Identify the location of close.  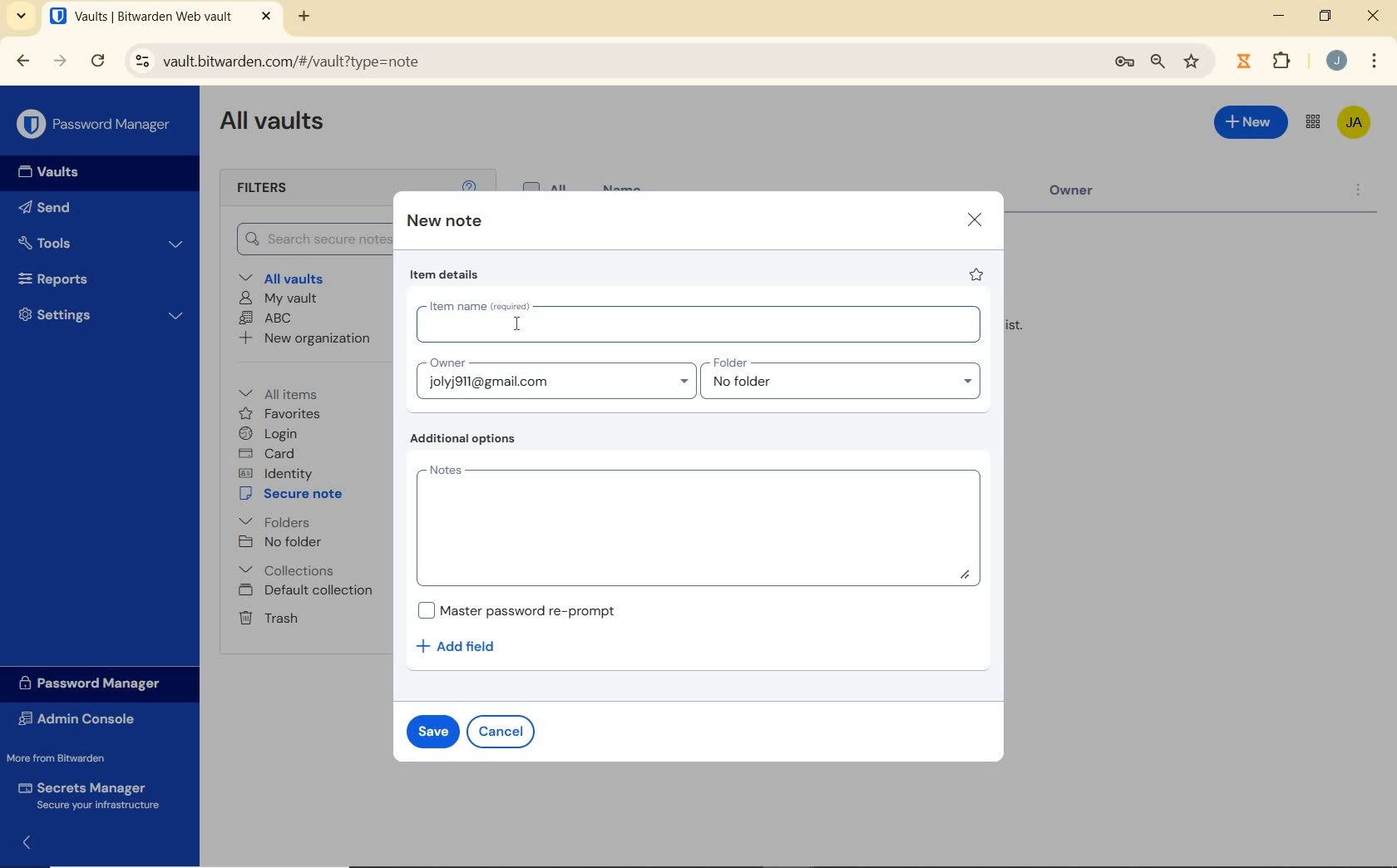
(974, 220).